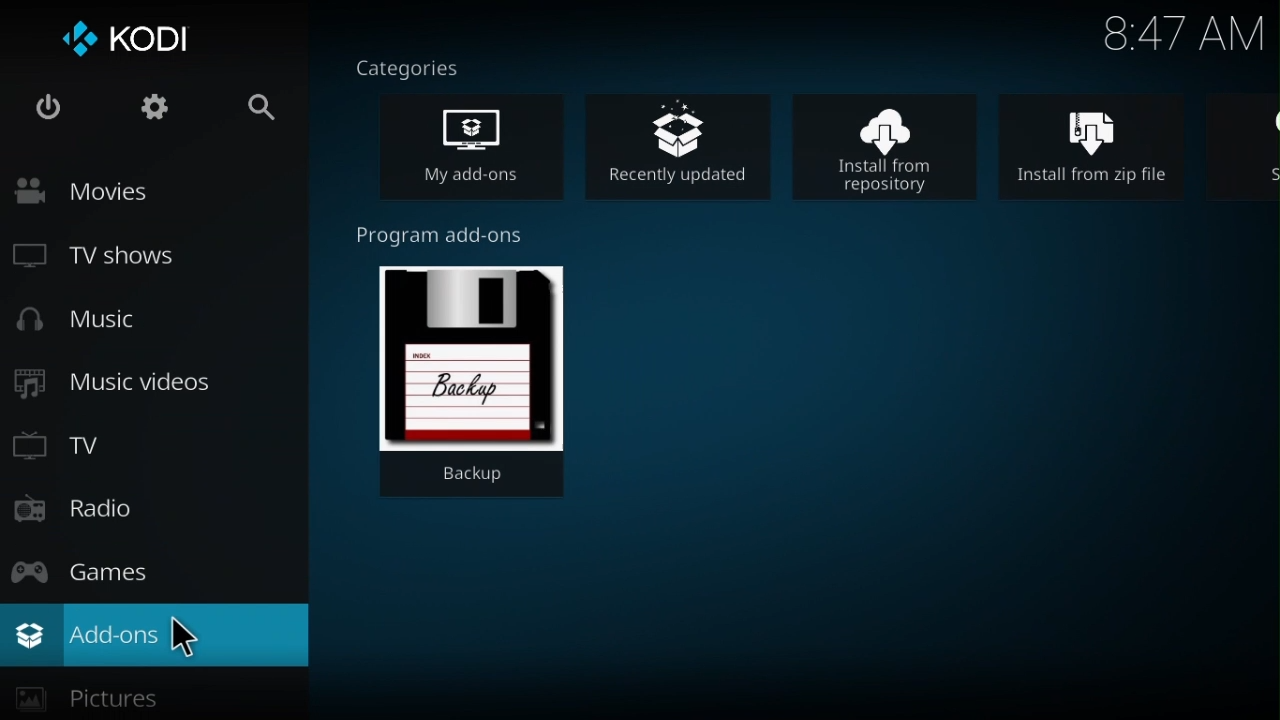 This screenshot has width=1280, height=720. I want to click on My add- on, so click(477, 150).